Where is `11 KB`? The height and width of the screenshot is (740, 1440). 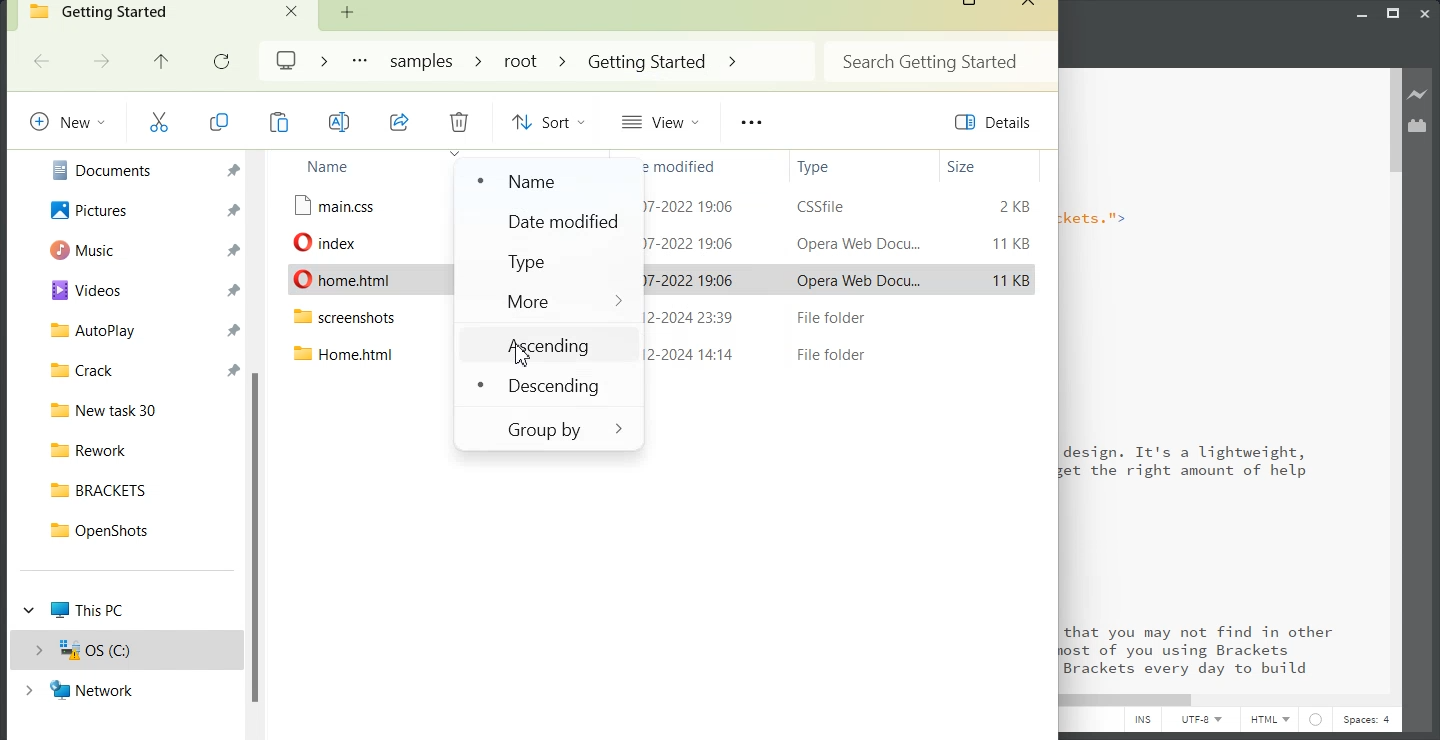 11 KB is located at coordinates (1011, 281).